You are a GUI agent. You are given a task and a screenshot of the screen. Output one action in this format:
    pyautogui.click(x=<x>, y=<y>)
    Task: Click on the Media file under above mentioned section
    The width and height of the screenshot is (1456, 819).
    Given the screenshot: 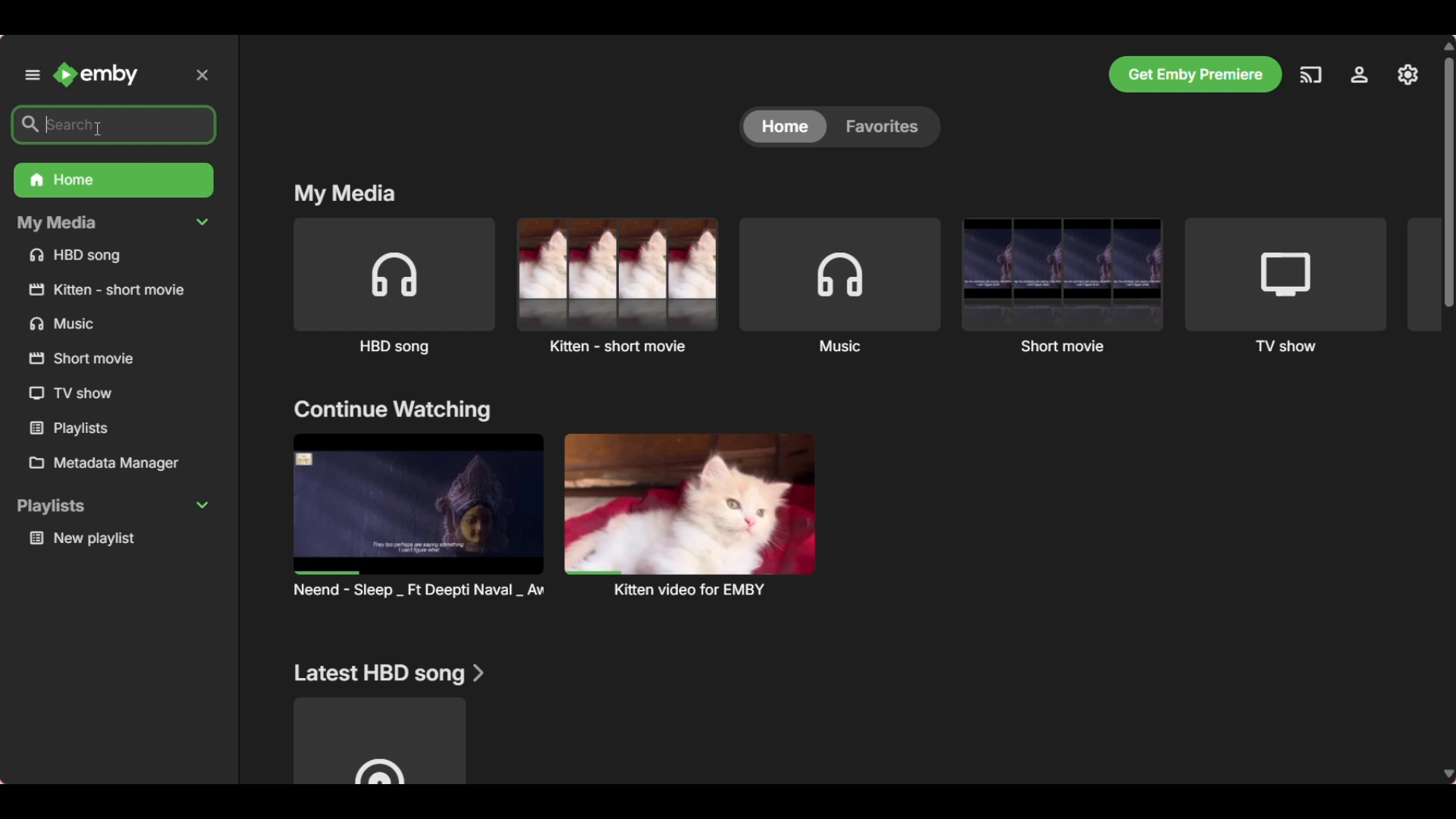 What is the action you would take?
    pyautogui.click(x=379, y=741)
    